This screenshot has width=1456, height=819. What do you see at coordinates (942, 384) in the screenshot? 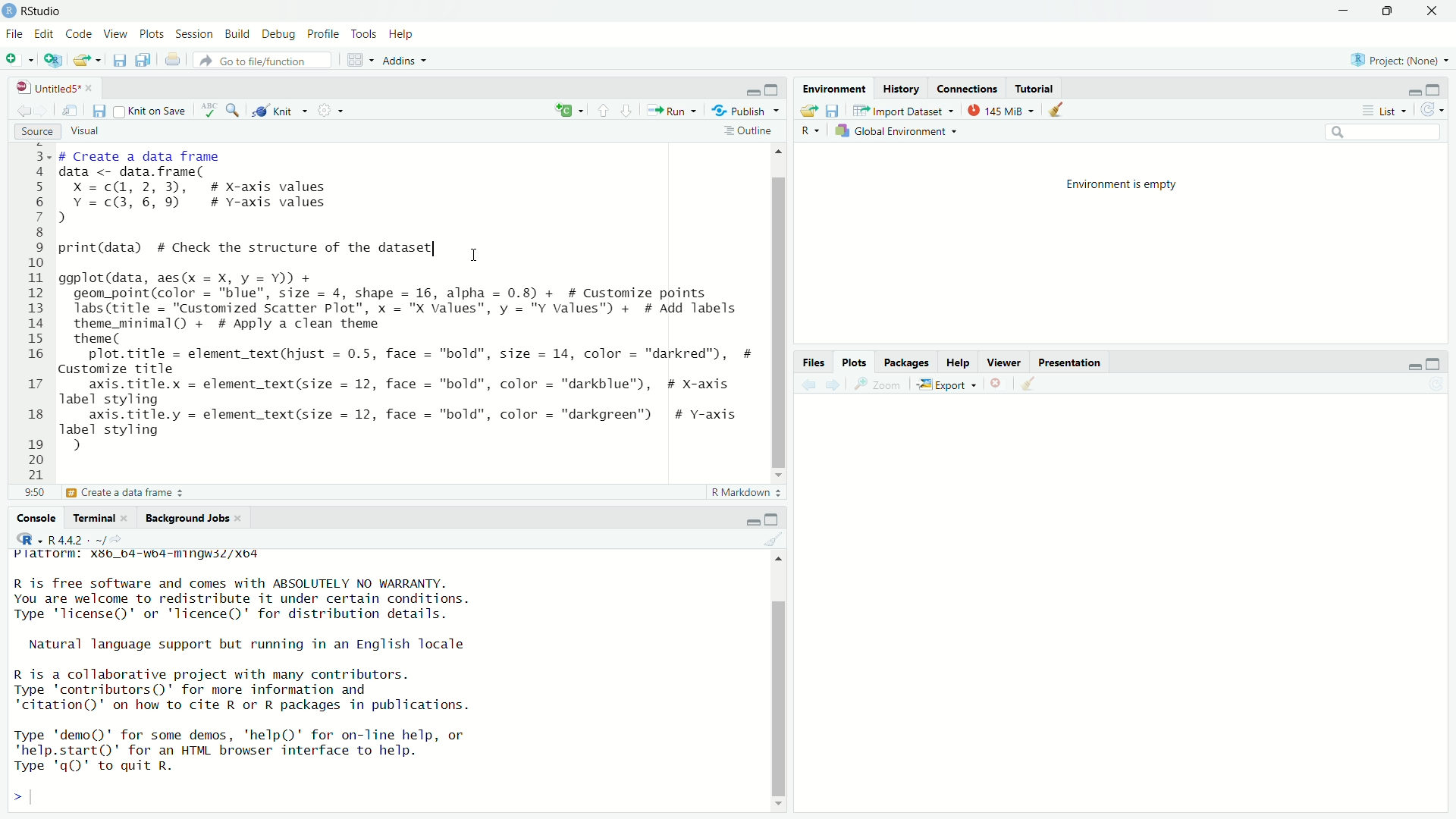
I see `Export ` at bounding box center [942, 384].